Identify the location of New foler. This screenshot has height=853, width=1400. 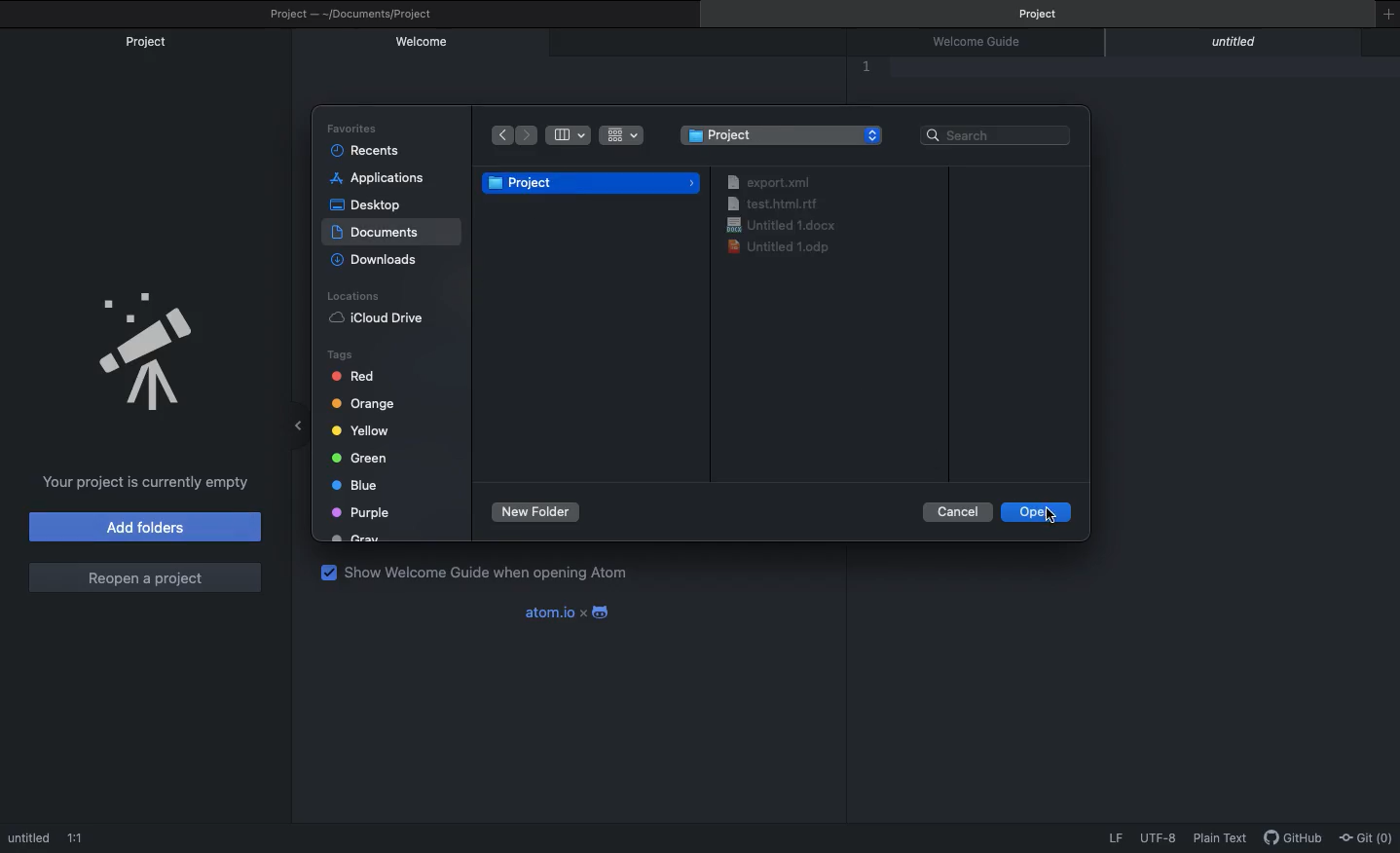
(537, 511).